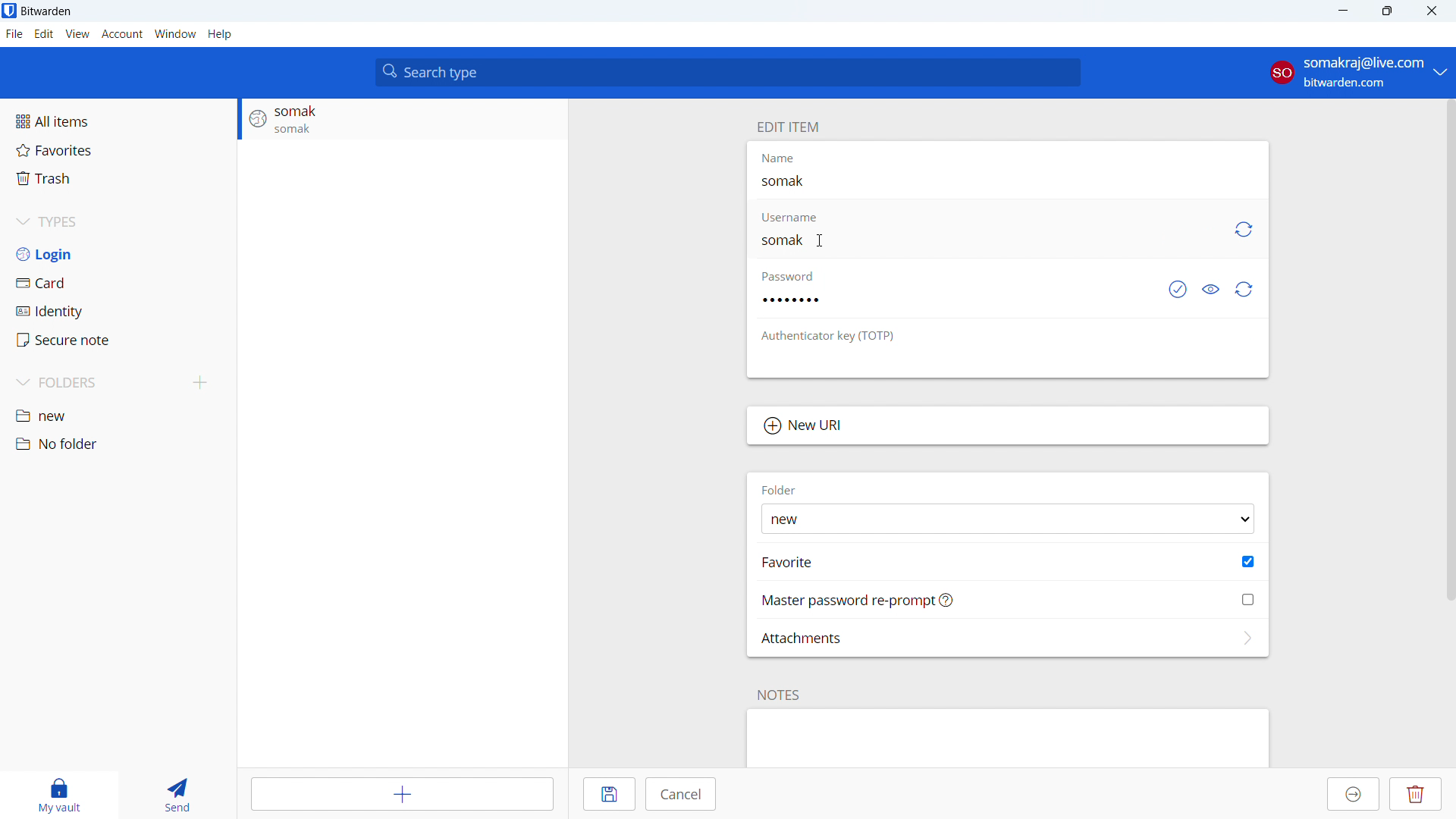  What do you see at coordinates (1248, 561) in the screenshot?
I see `toggle favorite` at bounding box center [1248, 561].